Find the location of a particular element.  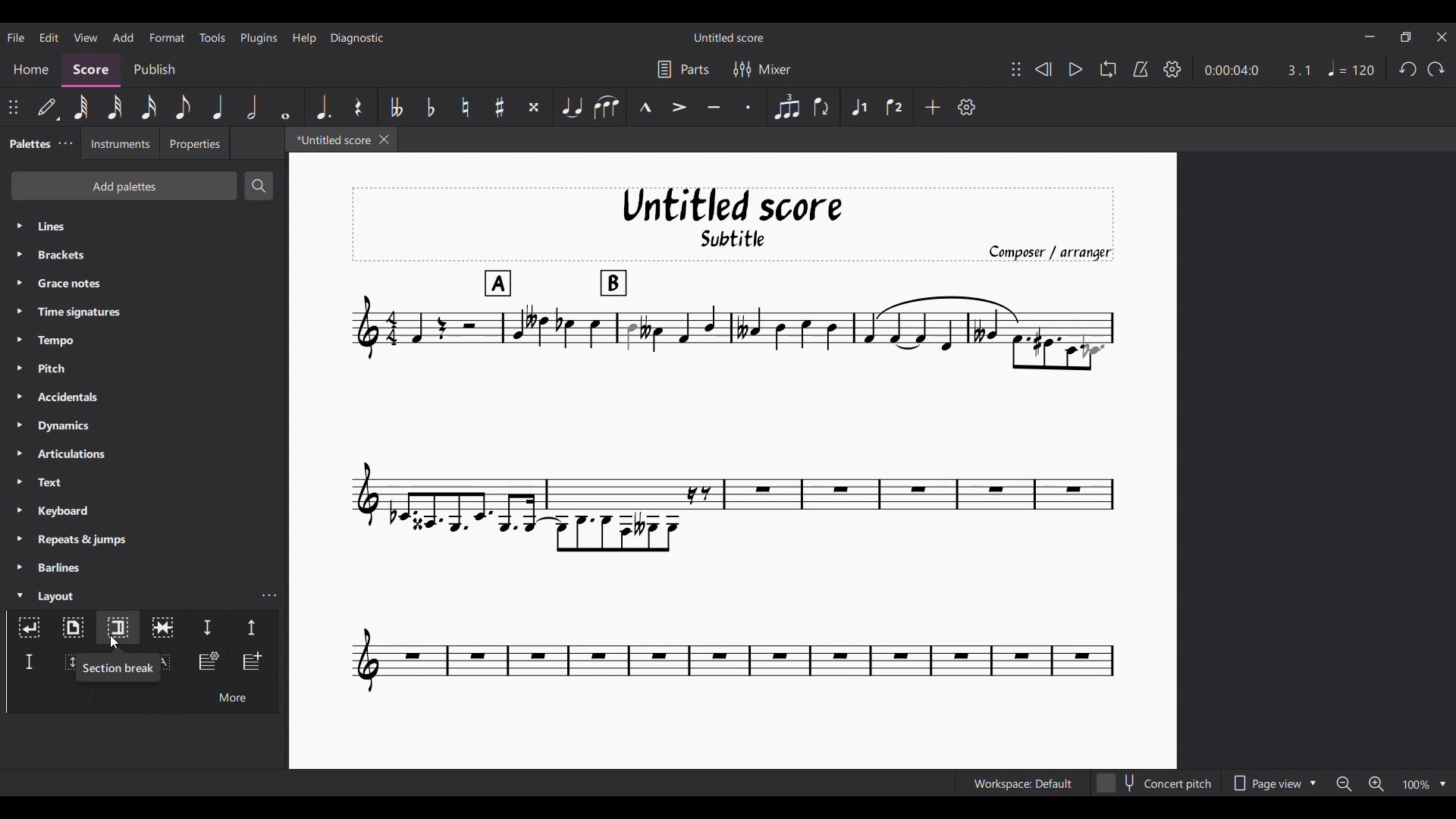

Zoom options is located at coordinates (1425, 783).